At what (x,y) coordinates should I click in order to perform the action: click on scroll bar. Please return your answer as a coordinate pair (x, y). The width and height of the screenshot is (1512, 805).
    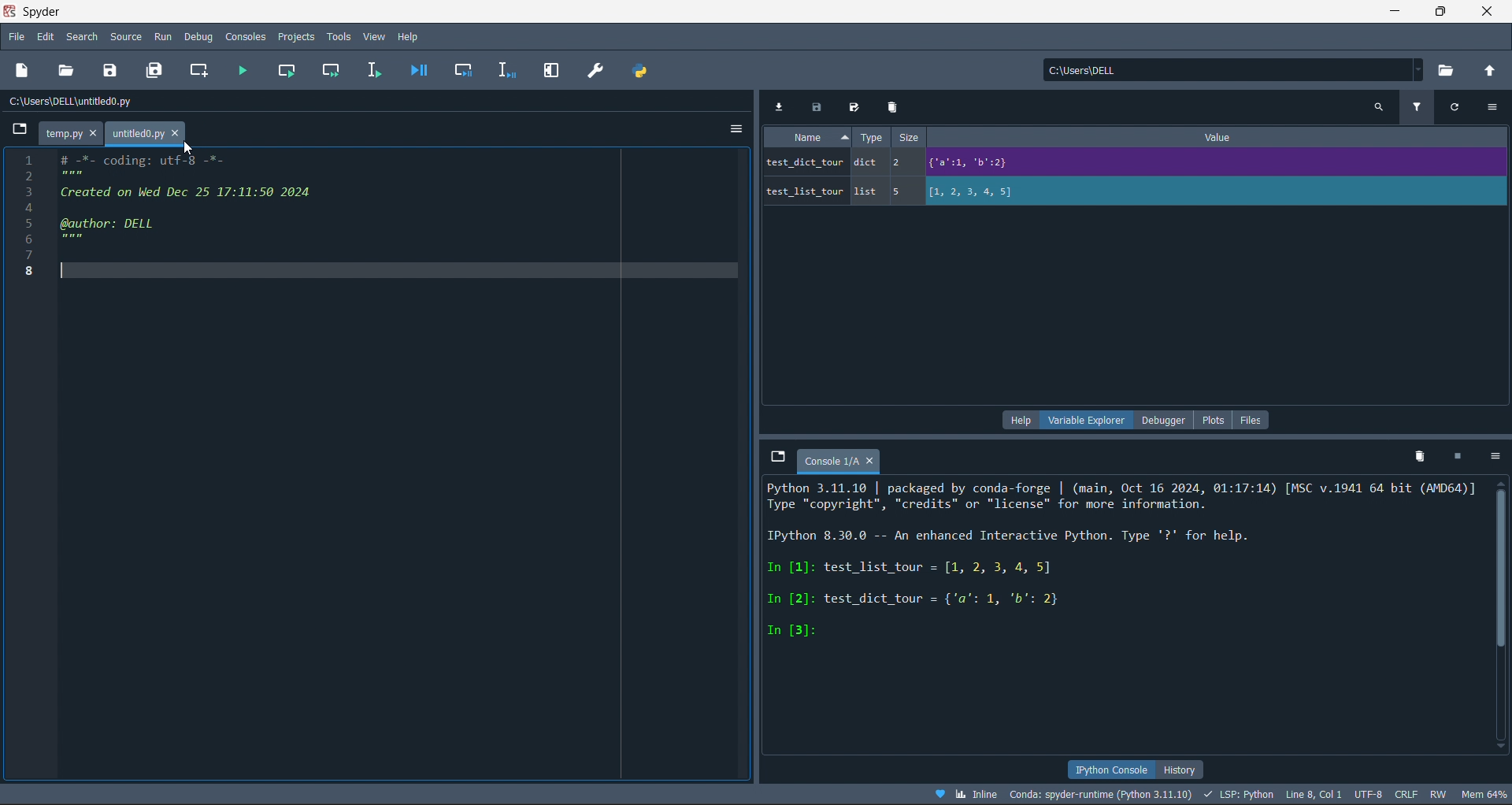
    Looking at the image, I should click on (1503, 618).